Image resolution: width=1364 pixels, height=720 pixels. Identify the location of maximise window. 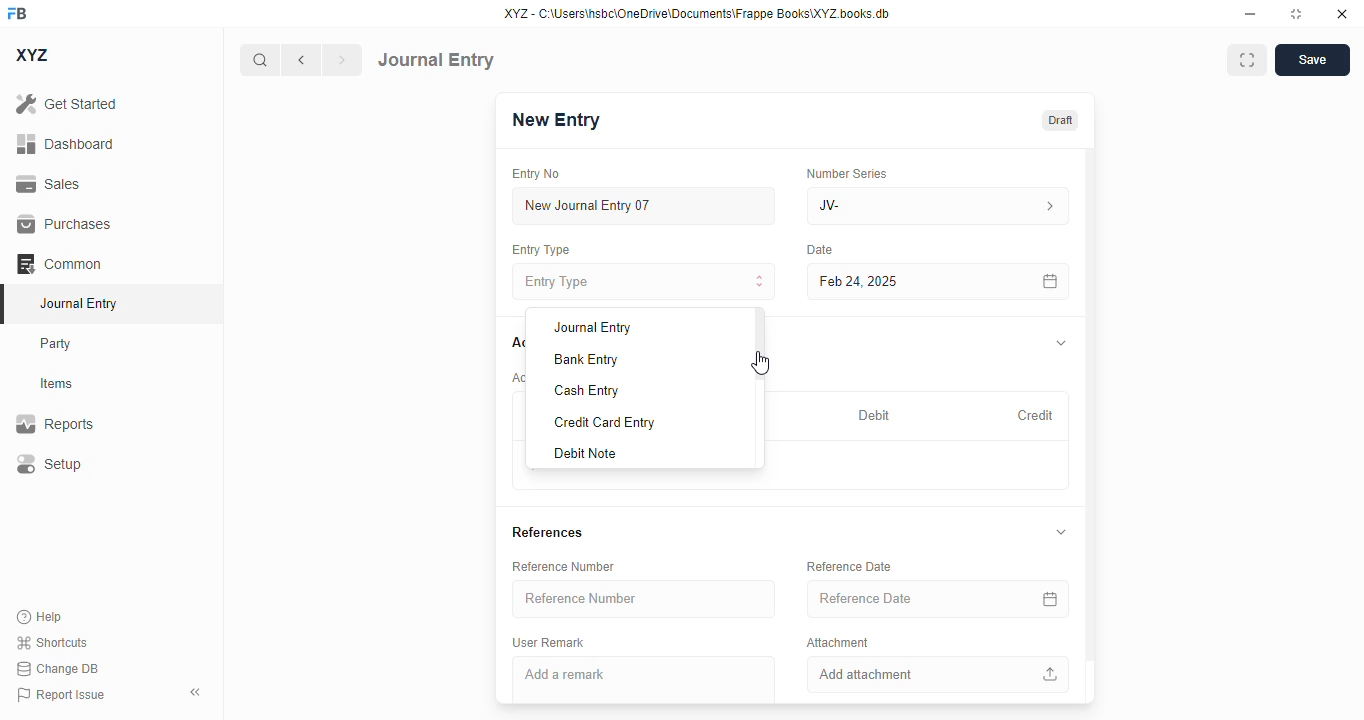
(1247, 60).